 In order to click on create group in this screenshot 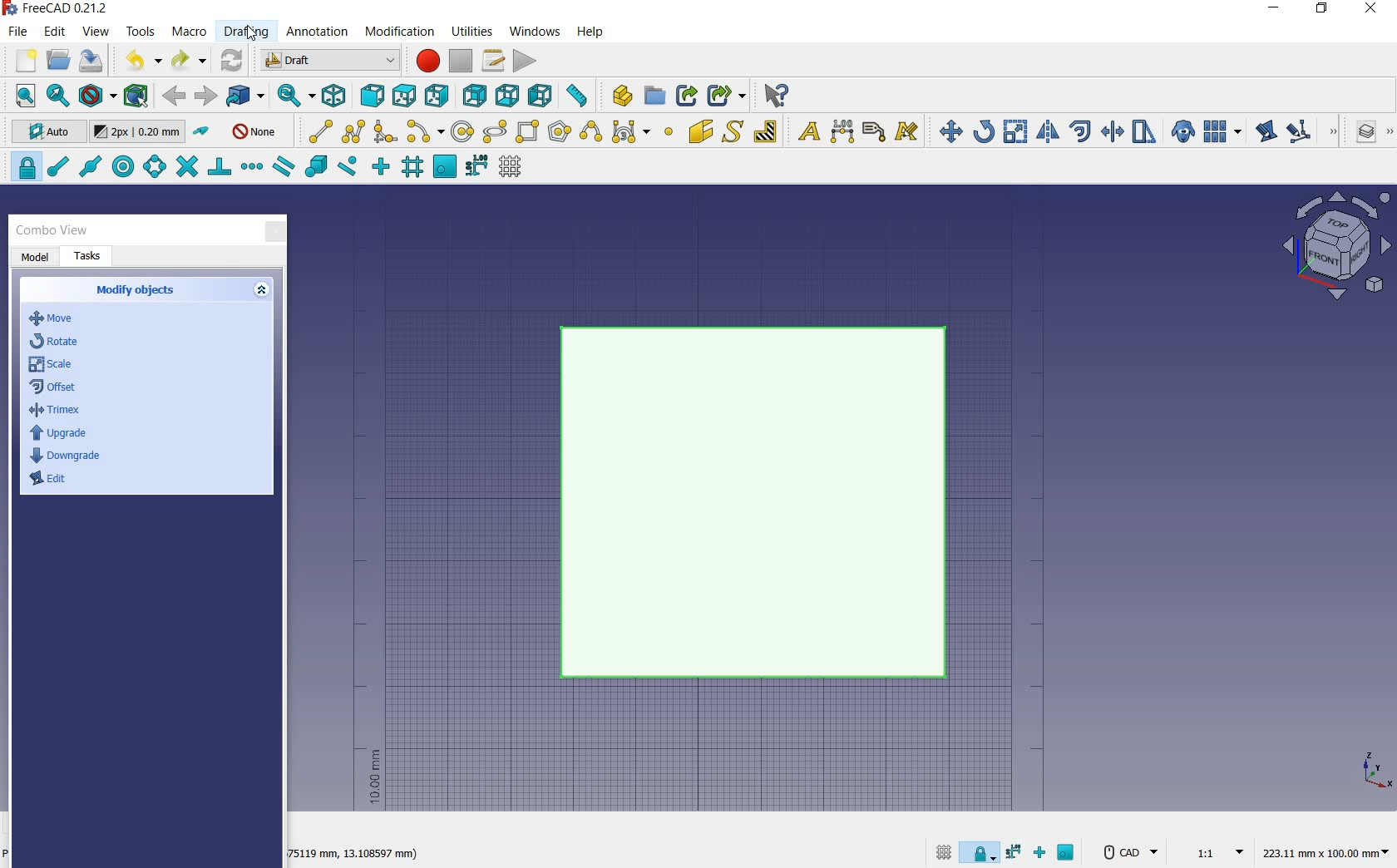, I will do `click(654, 96)`.